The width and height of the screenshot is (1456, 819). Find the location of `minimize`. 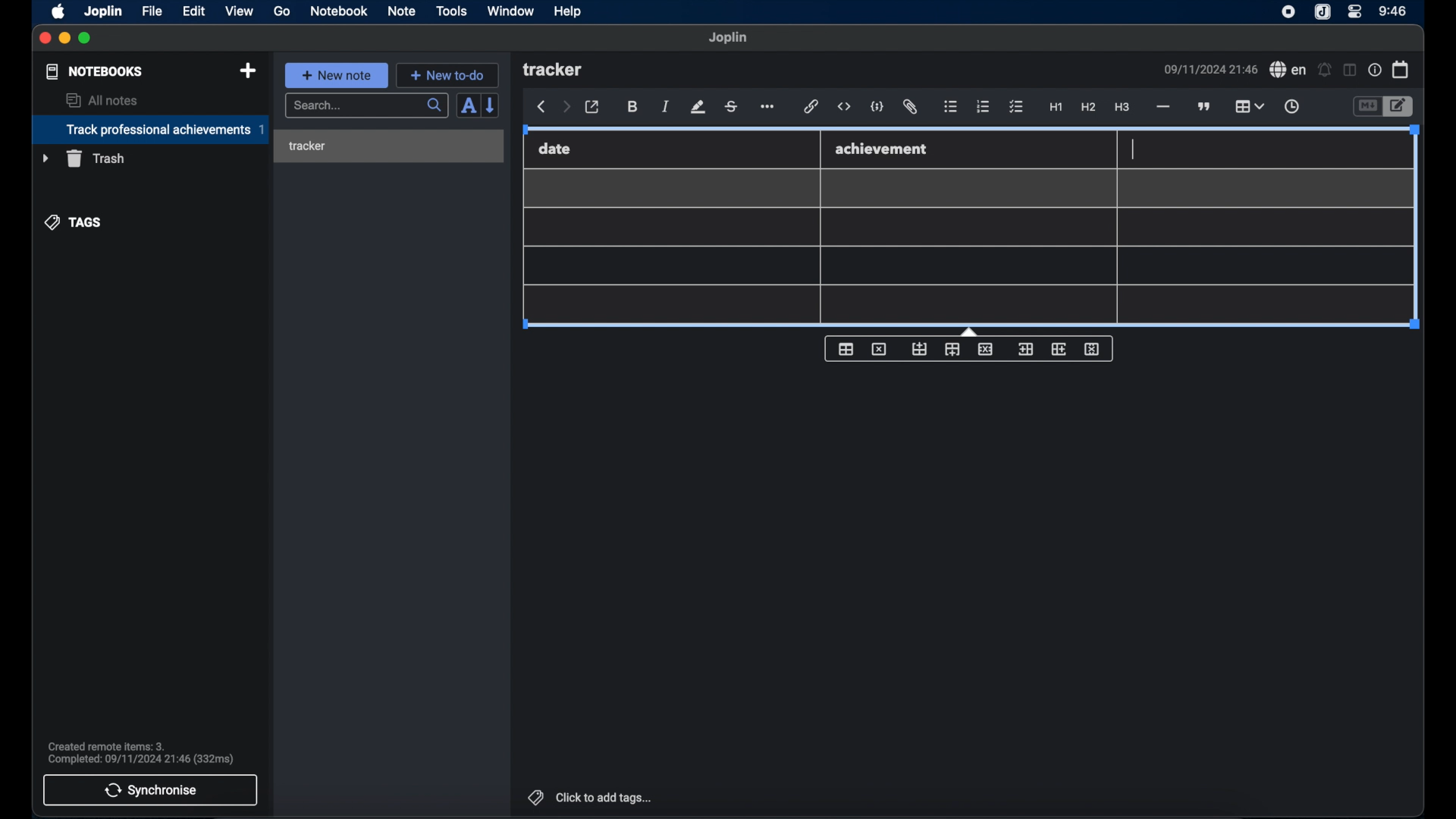

minimize is located at coordinates (65, 39).